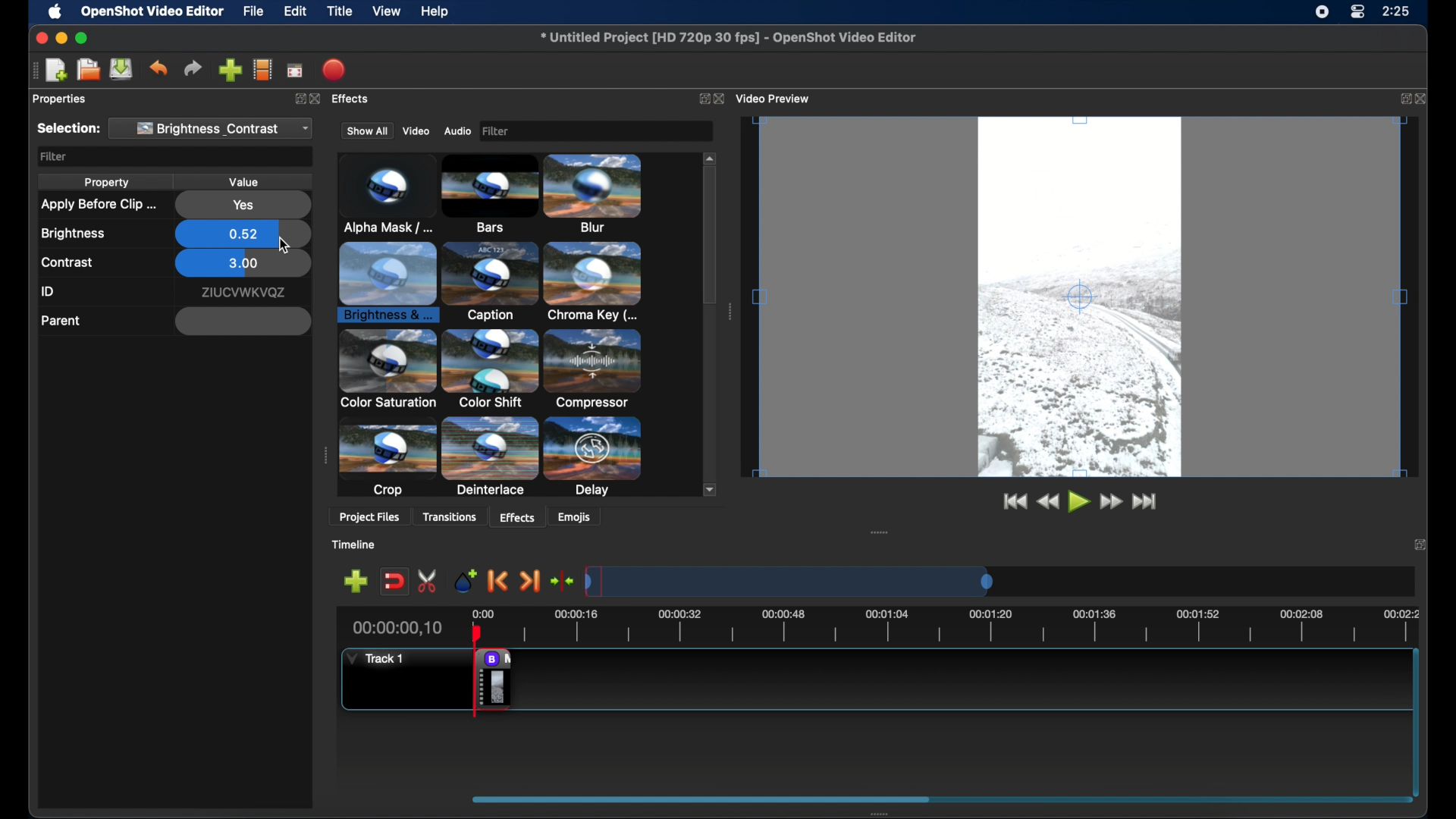 This screenshot has height=819, width=1456. What do you see at coordinates (491, 369) in the screenshot?
I see `deinterlace` at bounding box center [491, 369].